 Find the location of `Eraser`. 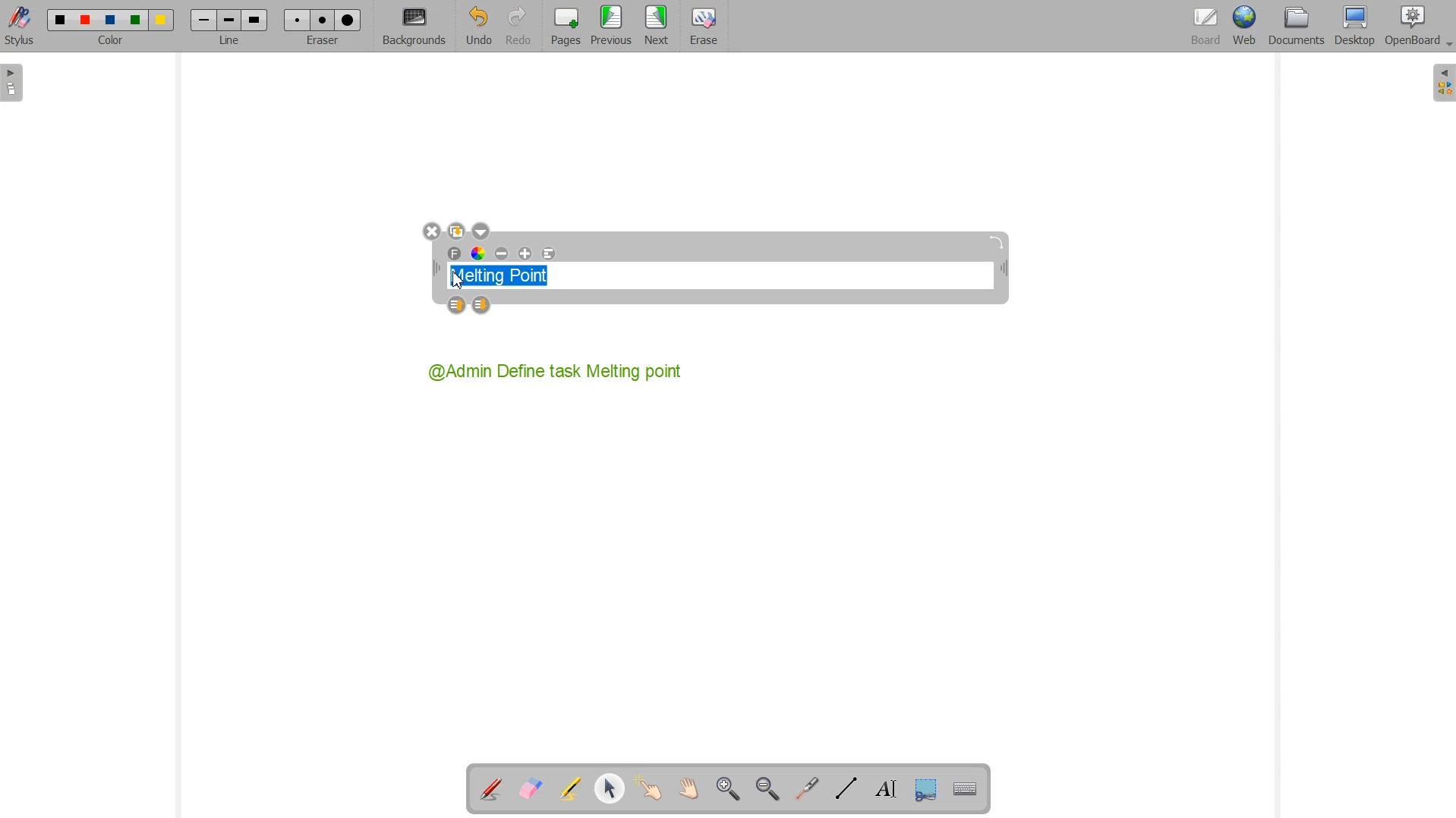

Eraser is located at coordinates (320, 26).